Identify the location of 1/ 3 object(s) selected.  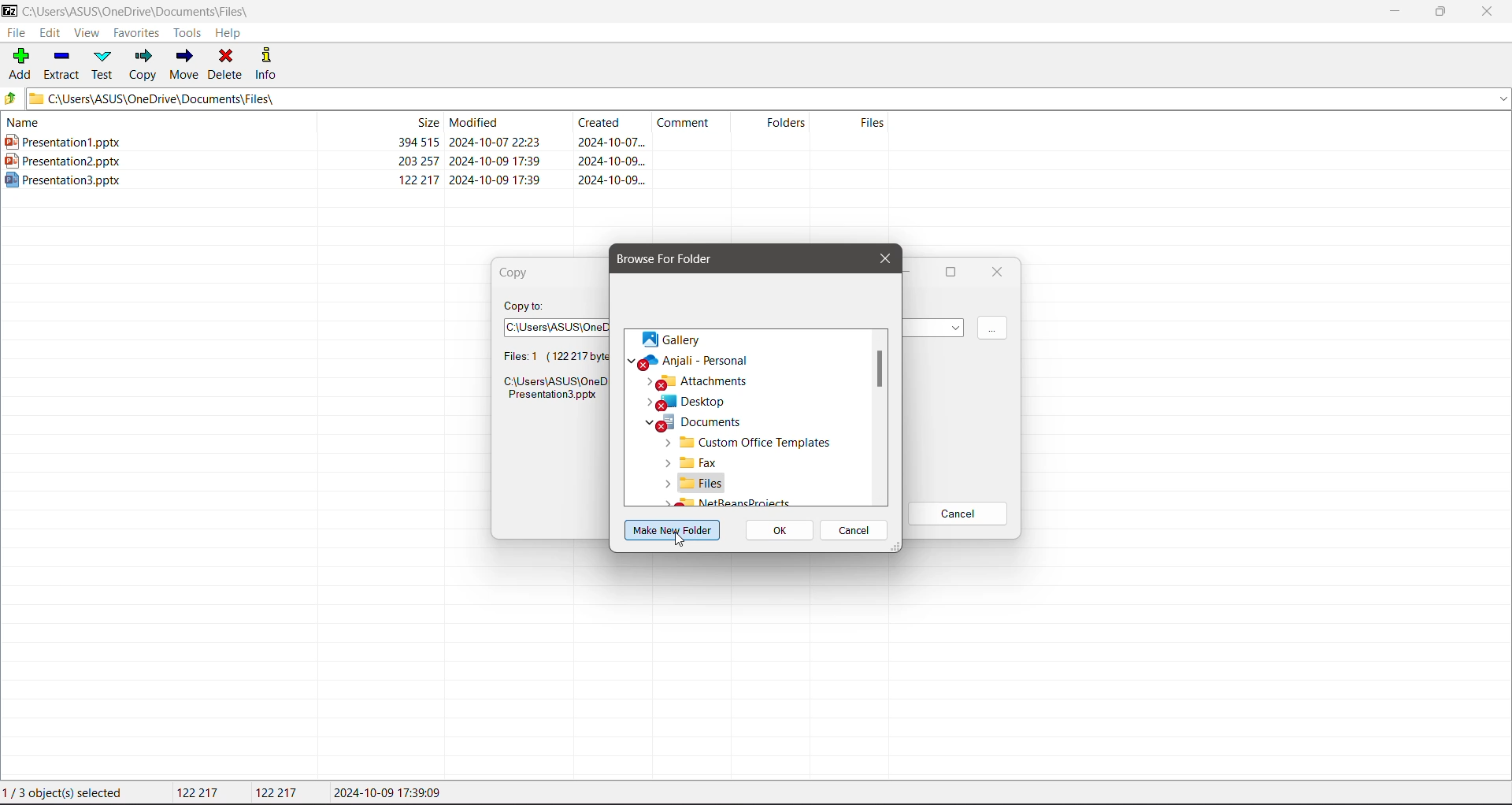
(66, 794).